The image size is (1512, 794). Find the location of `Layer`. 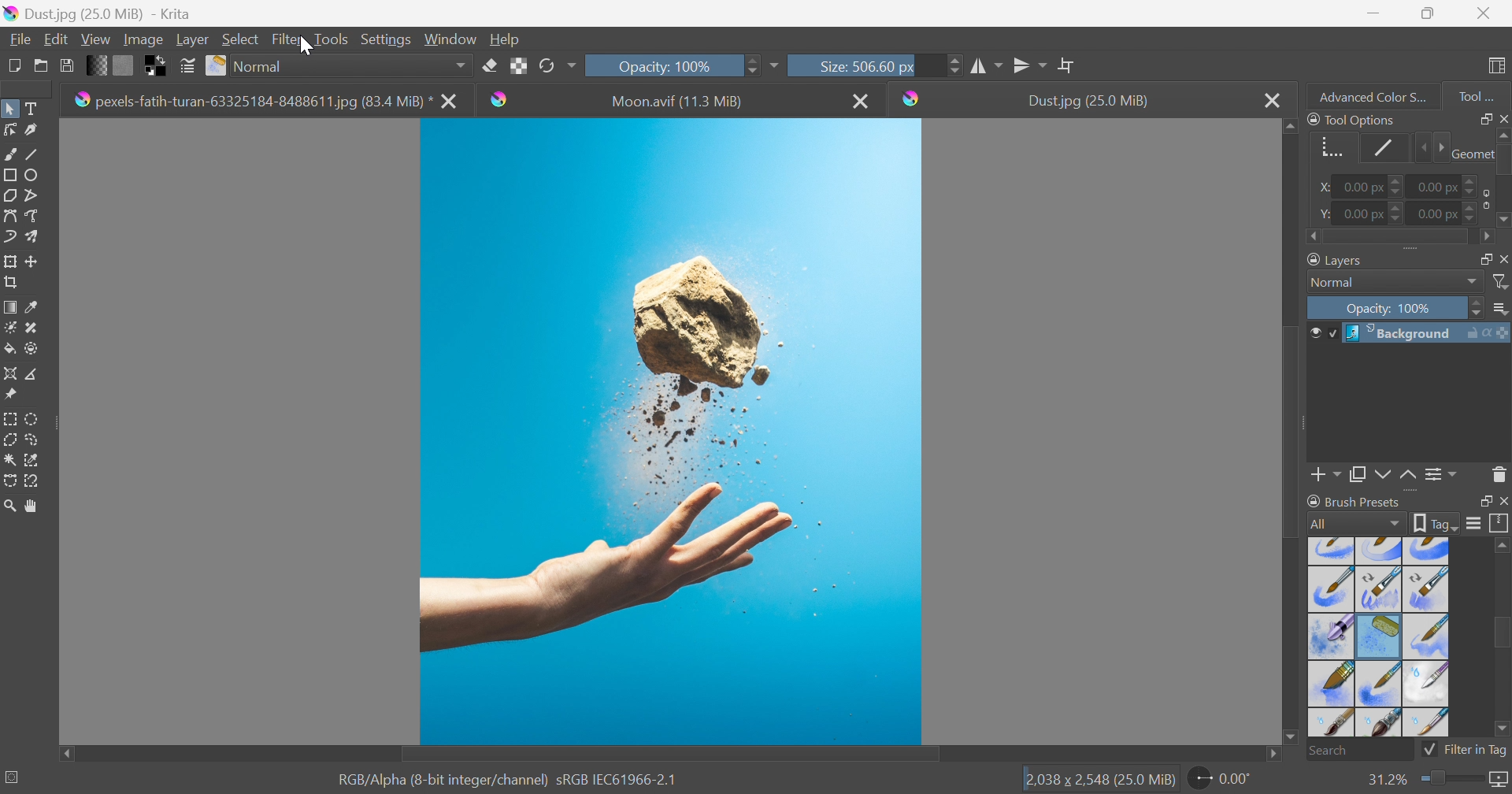

Layer is located at coordinates (192, 38).